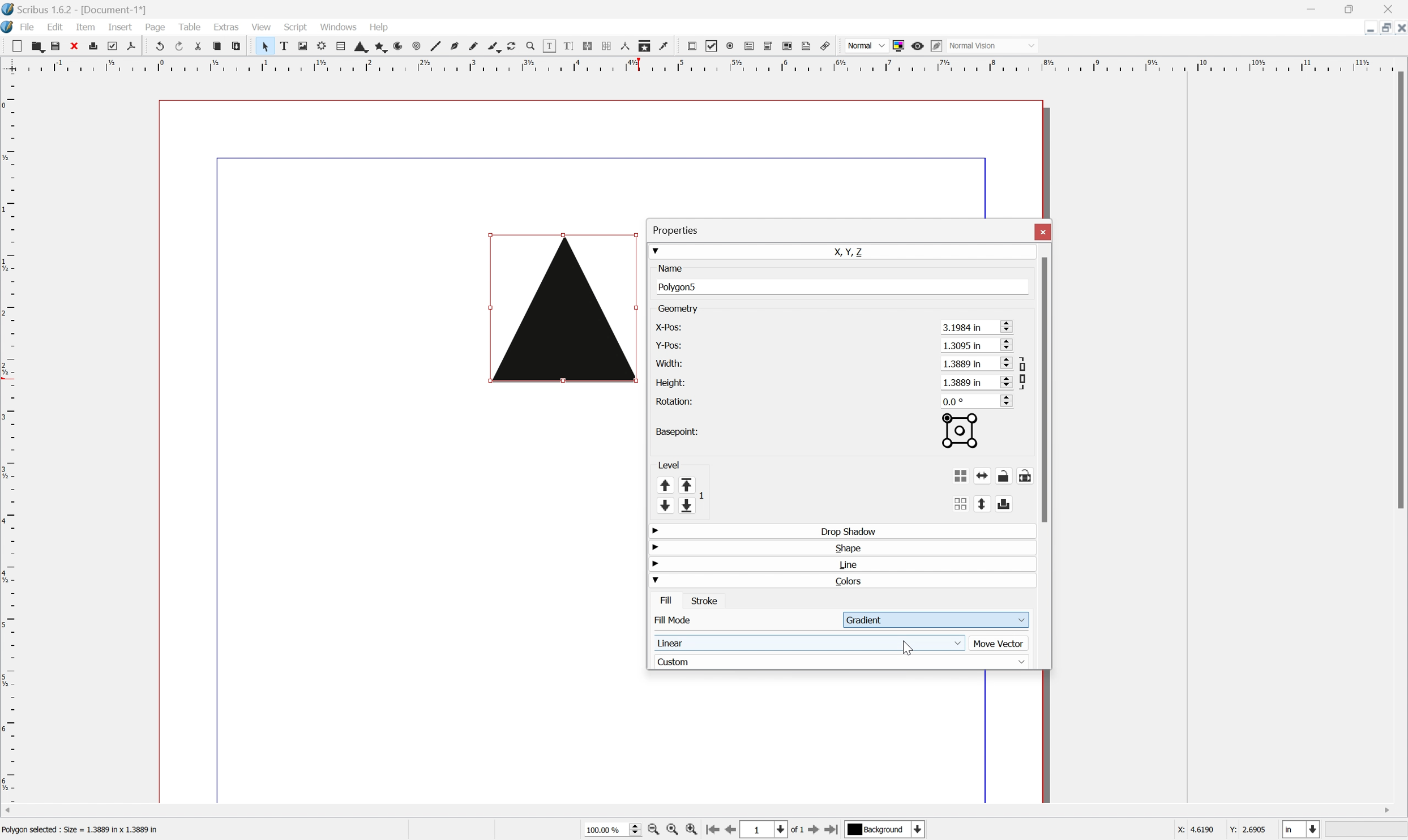 This screenshot has height=840, width=1408. What do you see at coordinates (681, 286) in the screenshot?
I see `Polygon5` at bounding box center [681, 286].